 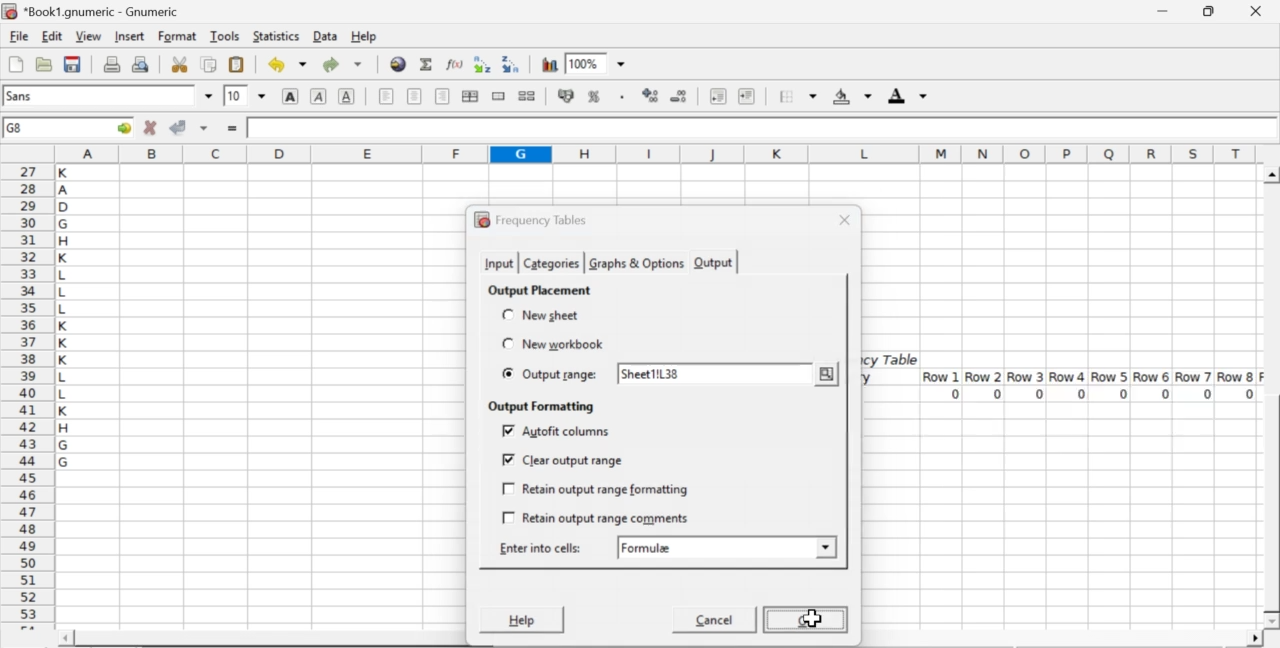 What do you see at coordinates (499, 96) in the screenshot?
I see `merge a range of cells` at bounding box center [499, 96].